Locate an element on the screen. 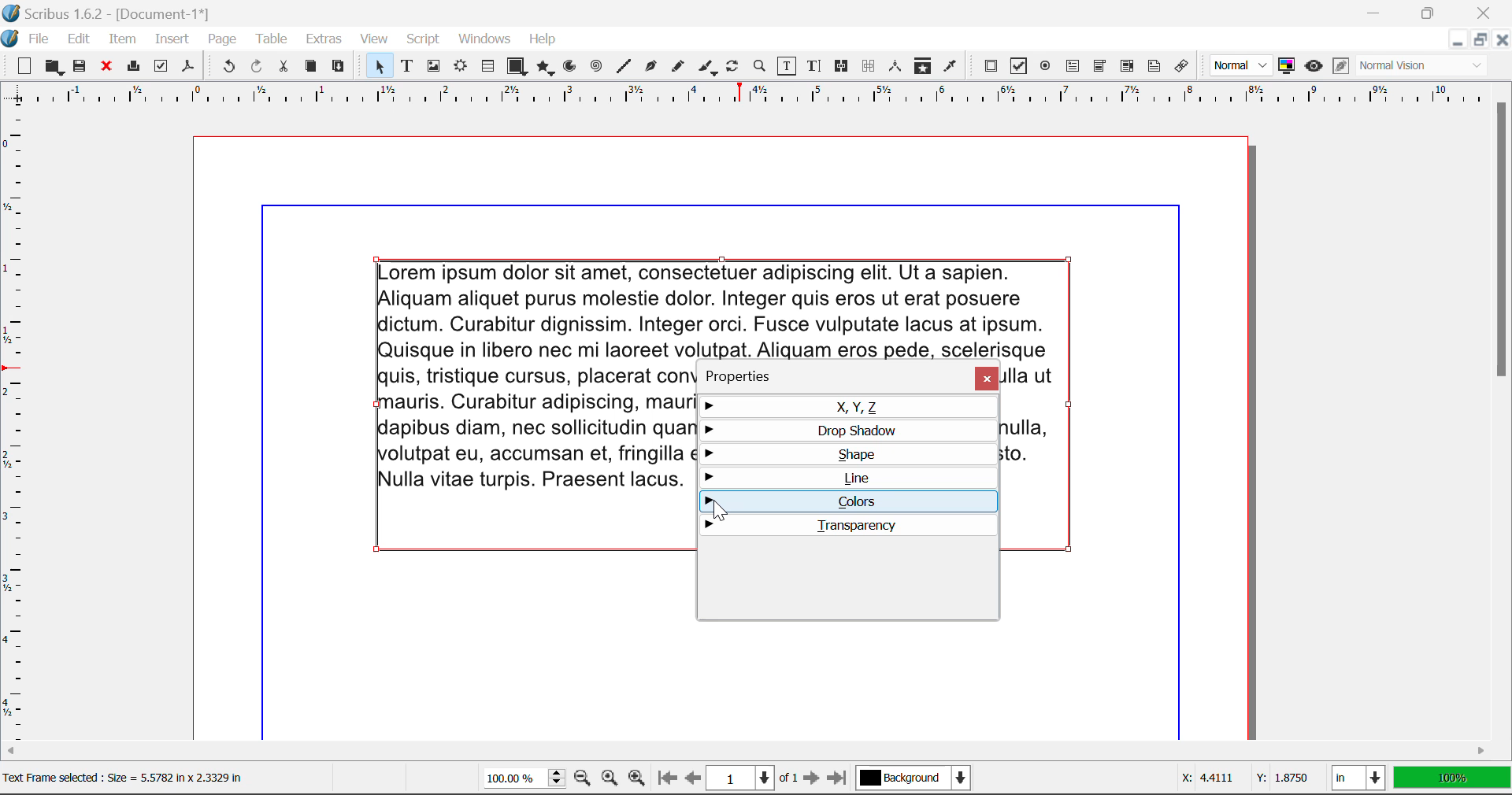 The height and width of the screenshot is (795, 1512). Scroll Bar is located at coordinates (747, 753).